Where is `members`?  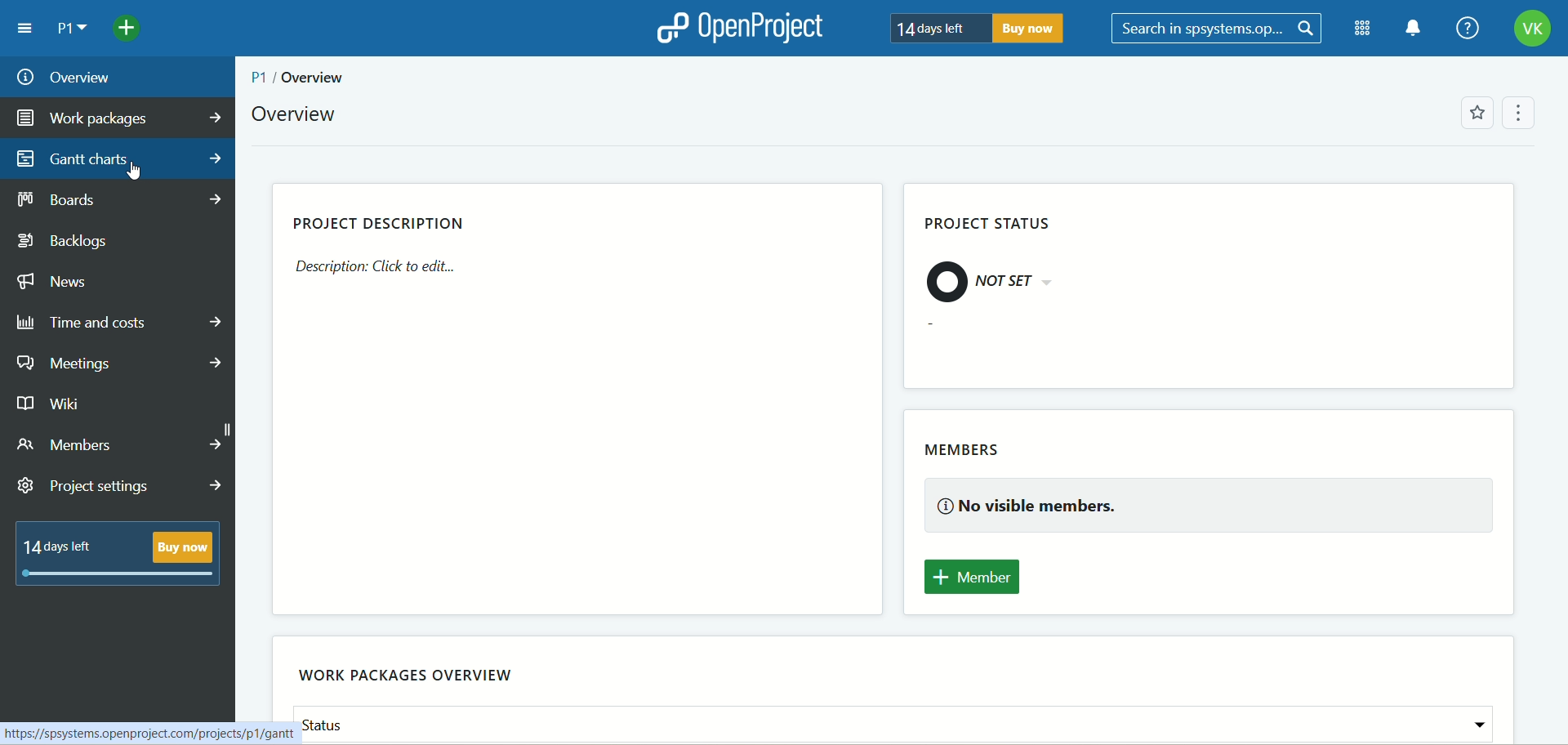 members is located at coordinates (968, 451).